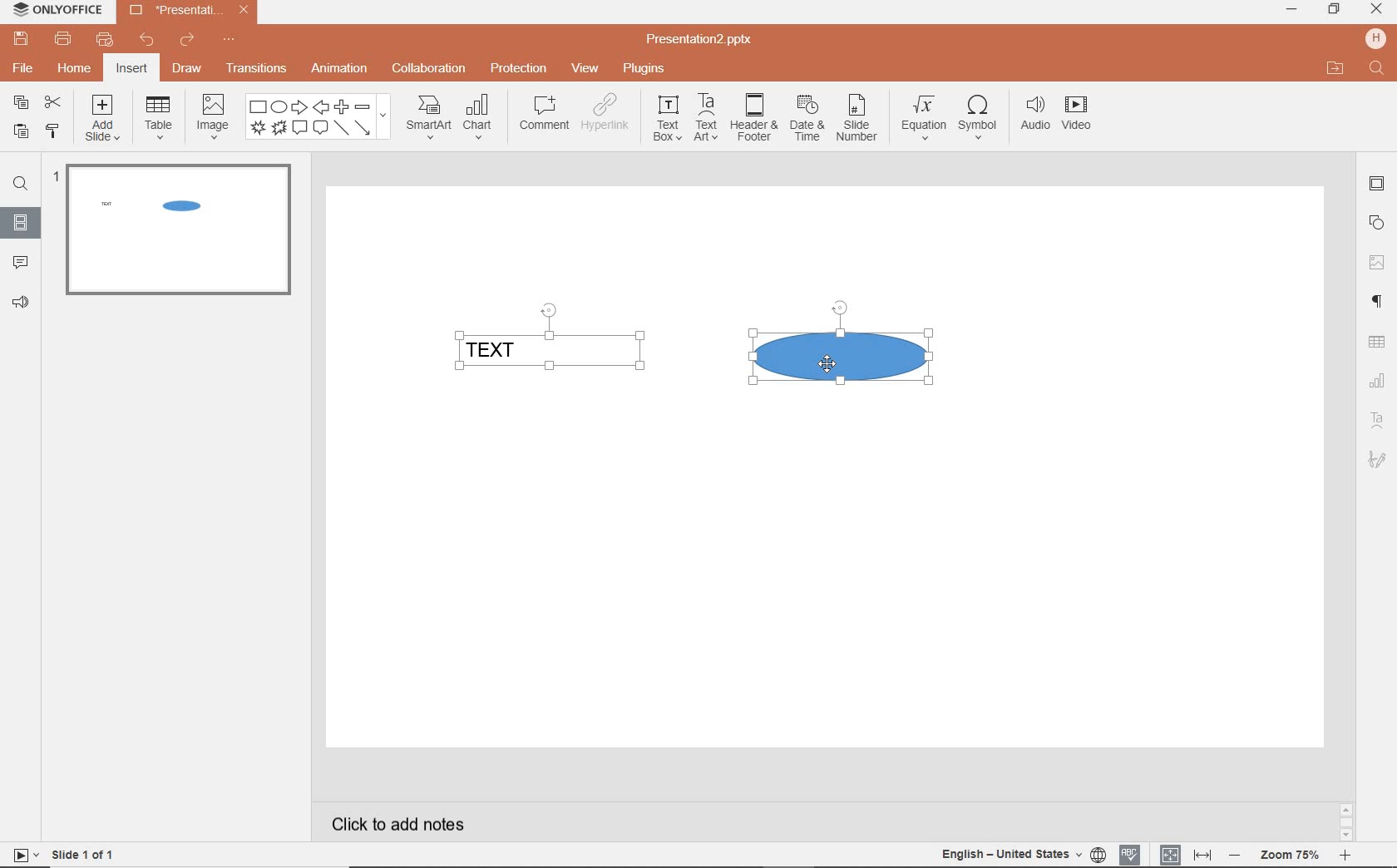 Image resolution: width=1397 pixels, height=868 pixels. Describe the element at coordinates (21, 102) in the screenshot. I see `copy` at that location.